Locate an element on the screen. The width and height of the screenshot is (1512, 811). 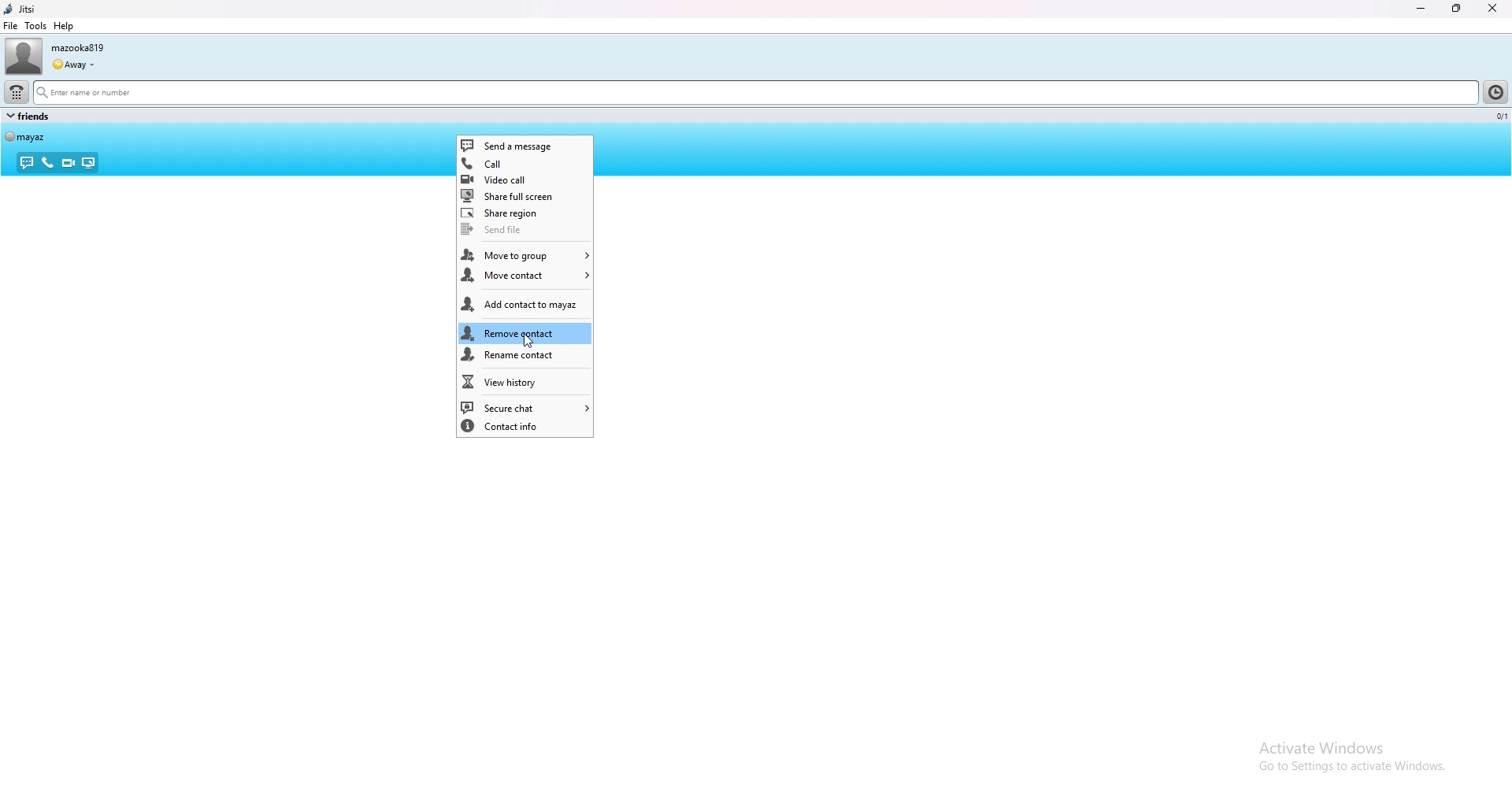
username is located at coordinates (77, 48).